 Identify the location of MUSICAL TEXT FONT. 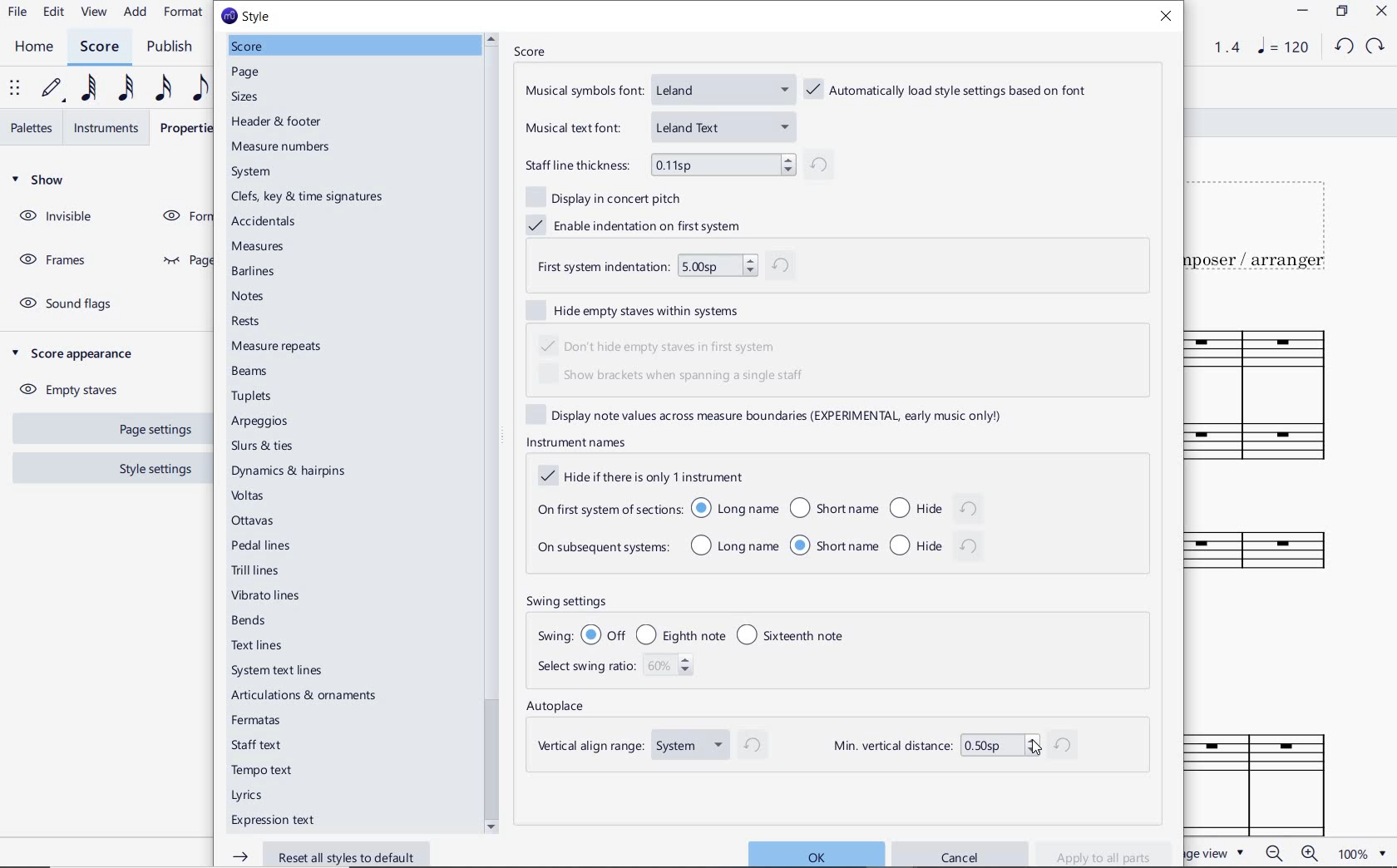
(658, 126).